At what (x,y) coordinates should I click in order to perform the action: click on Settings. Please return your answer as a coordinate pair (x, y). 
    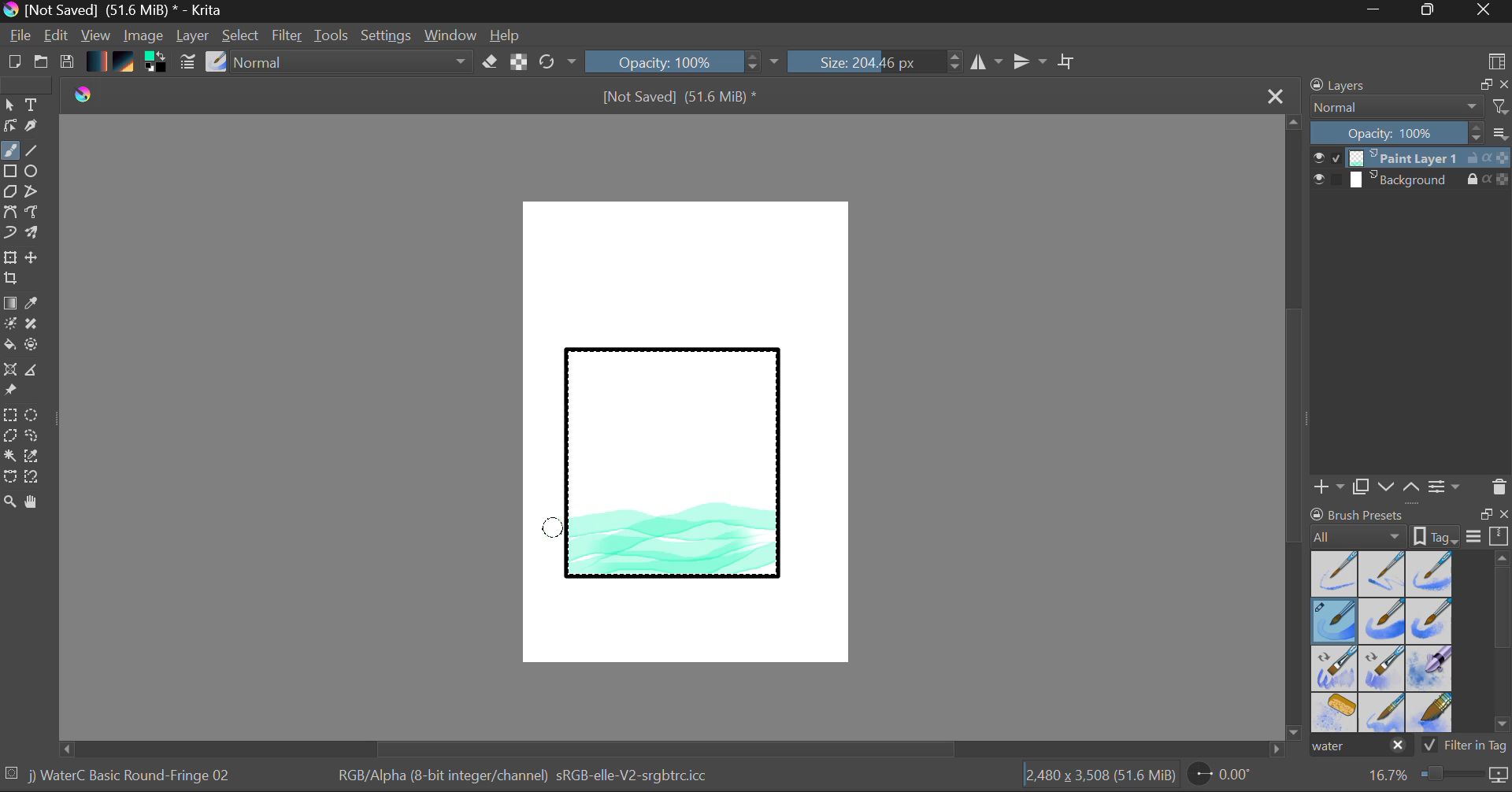
    Looking at the image, I should click on (387, 35).